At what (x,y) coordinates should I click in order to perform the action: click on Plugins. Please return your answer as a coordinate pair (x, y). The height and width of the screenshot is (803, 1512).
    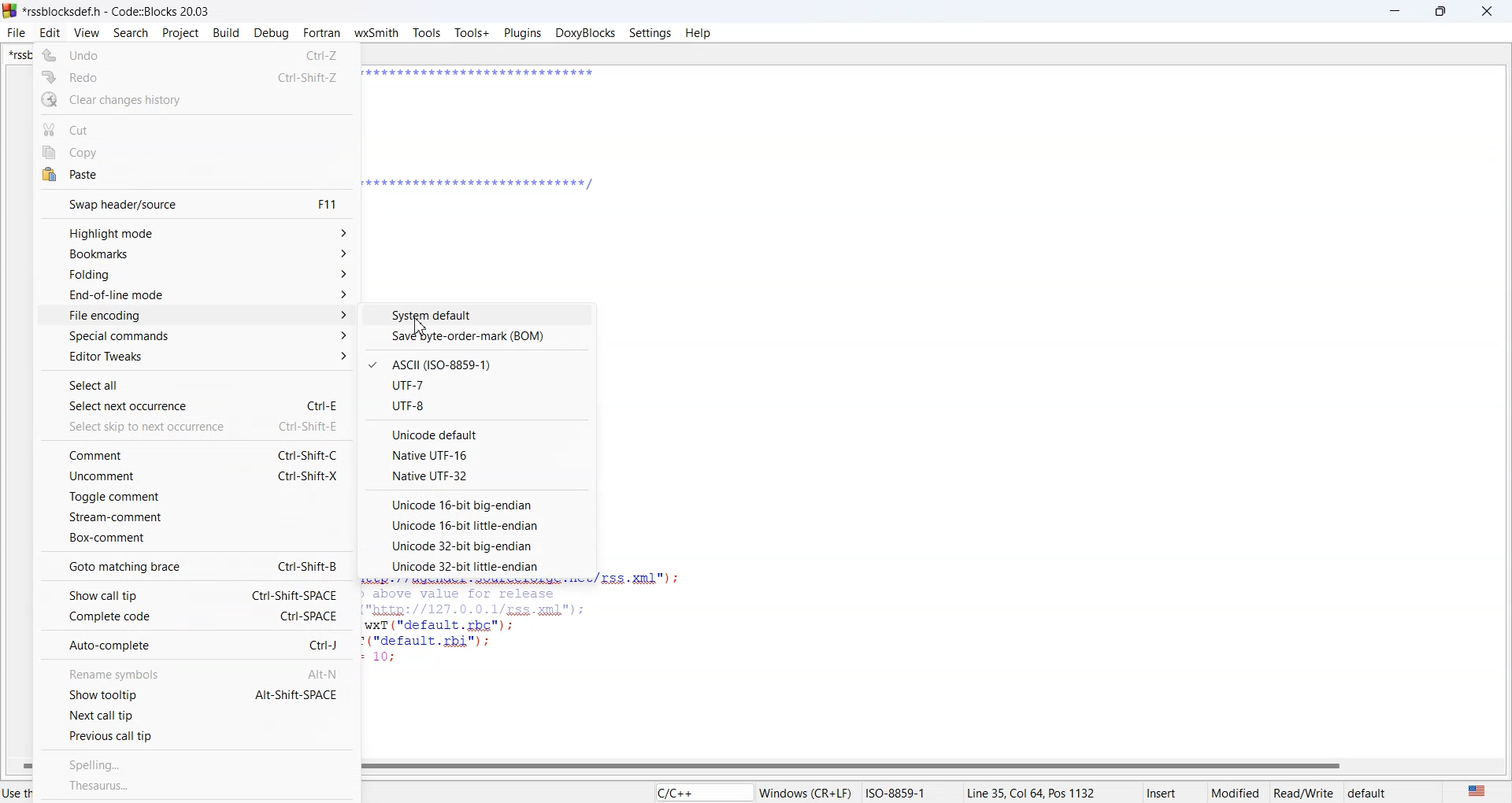
    Looking at the image, I should click on (523, 34).